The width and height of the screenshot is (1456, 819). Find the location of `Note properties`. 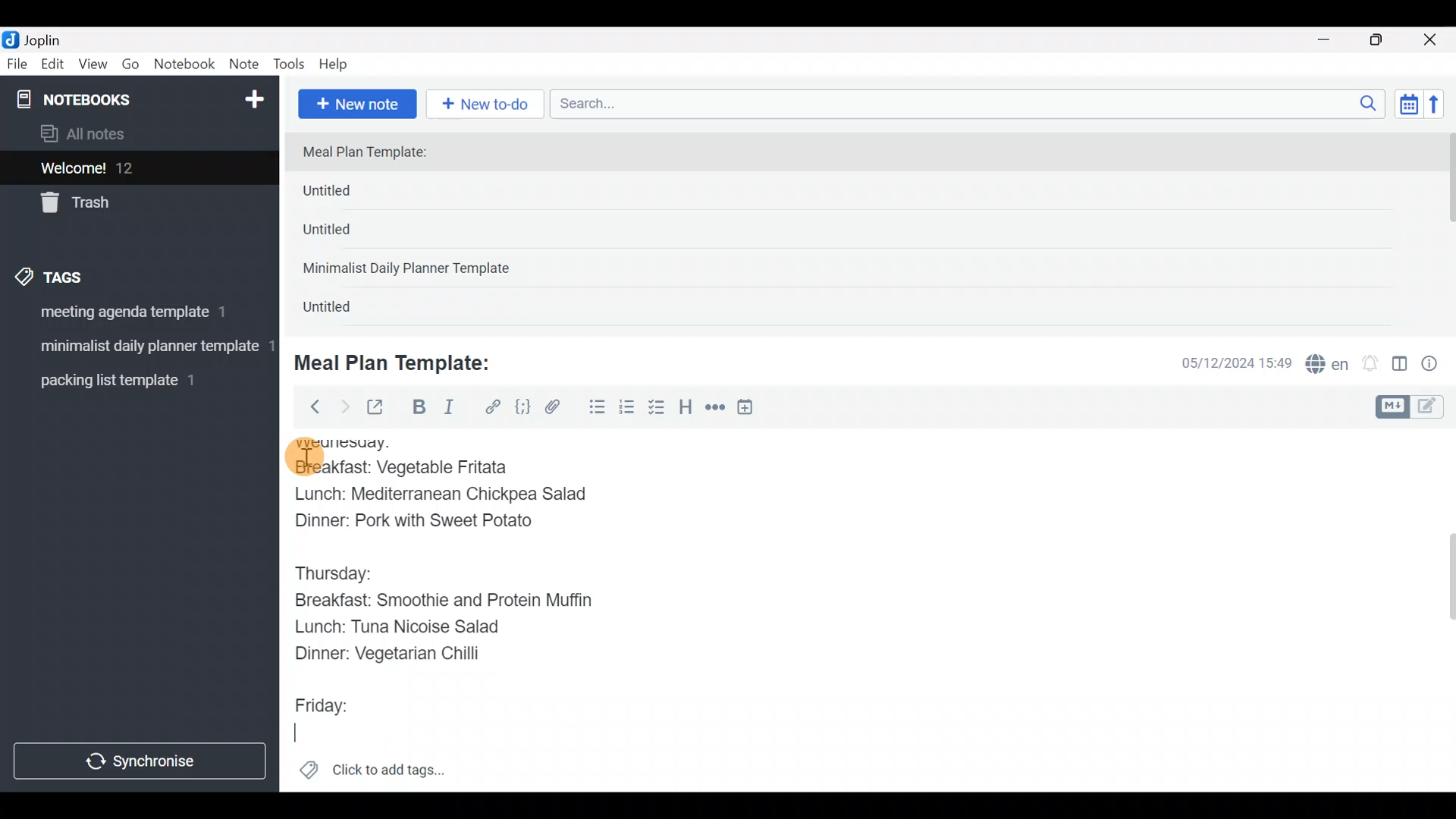

Note properties is located at coordinates (1436, 365).